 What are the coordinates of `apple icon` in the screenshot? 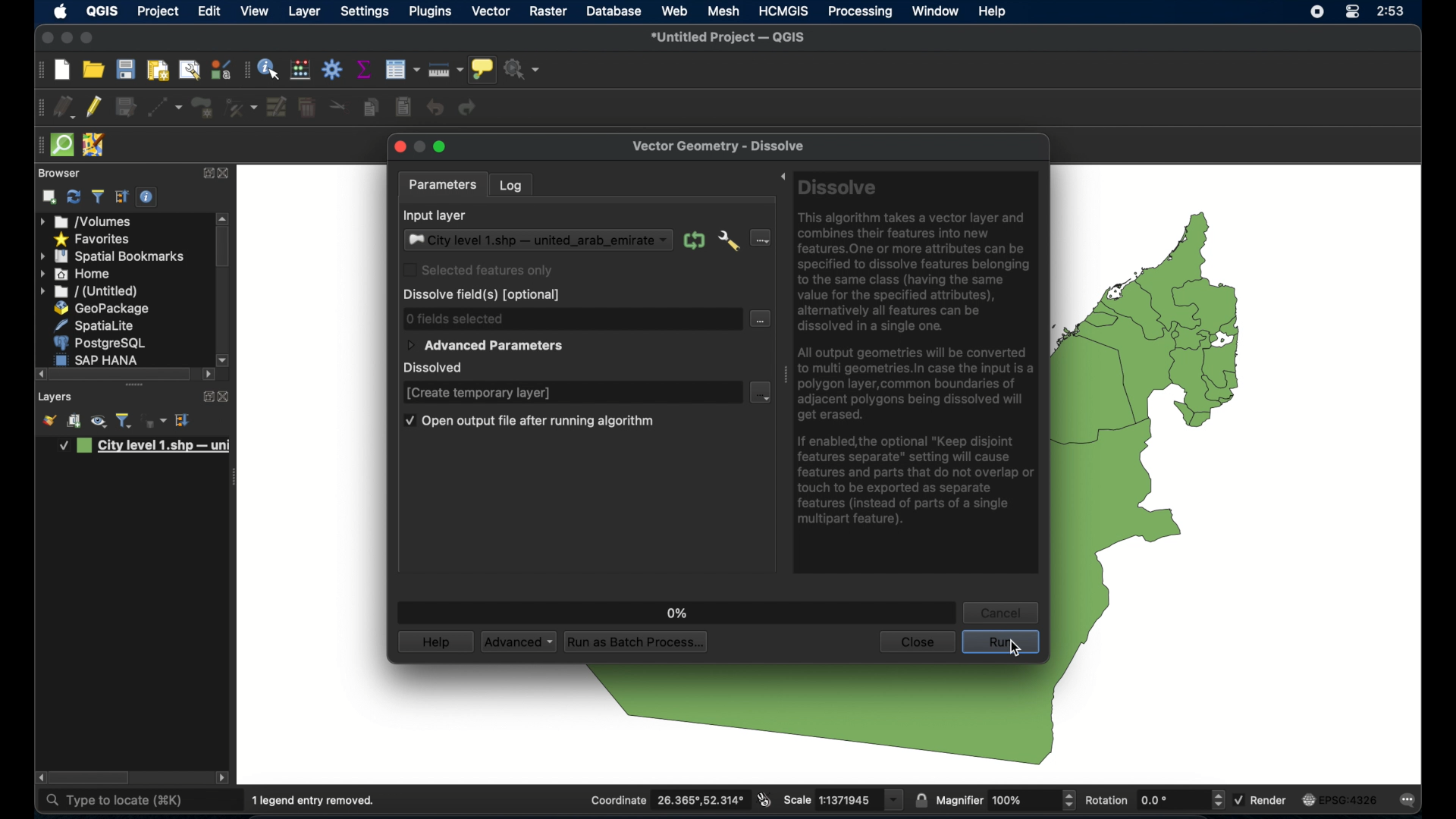 It's located at (61, 11).